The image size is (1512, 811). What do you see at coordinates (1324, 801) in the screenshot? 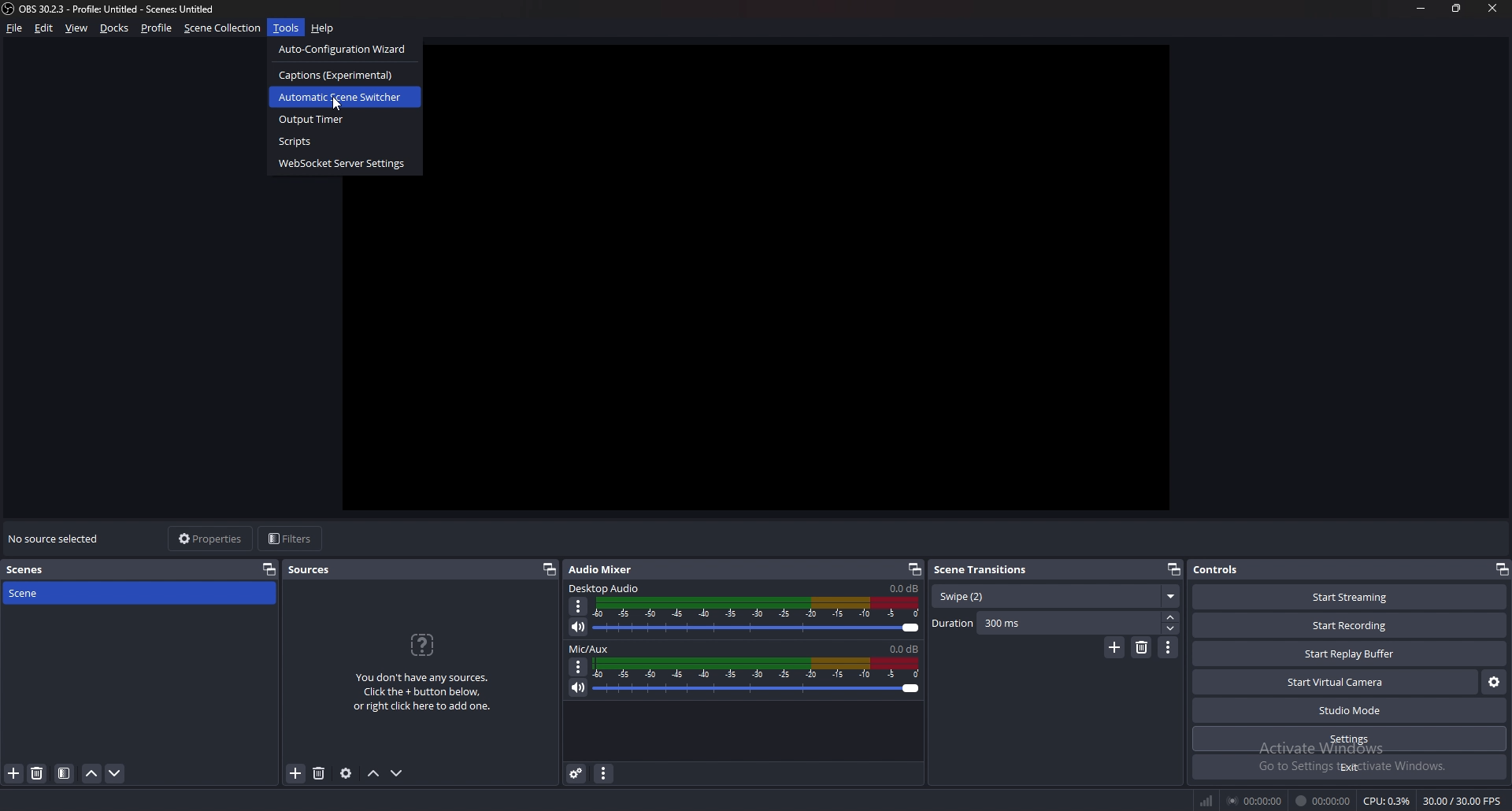
I see `recording duration` at bounding box center [1324, 801].